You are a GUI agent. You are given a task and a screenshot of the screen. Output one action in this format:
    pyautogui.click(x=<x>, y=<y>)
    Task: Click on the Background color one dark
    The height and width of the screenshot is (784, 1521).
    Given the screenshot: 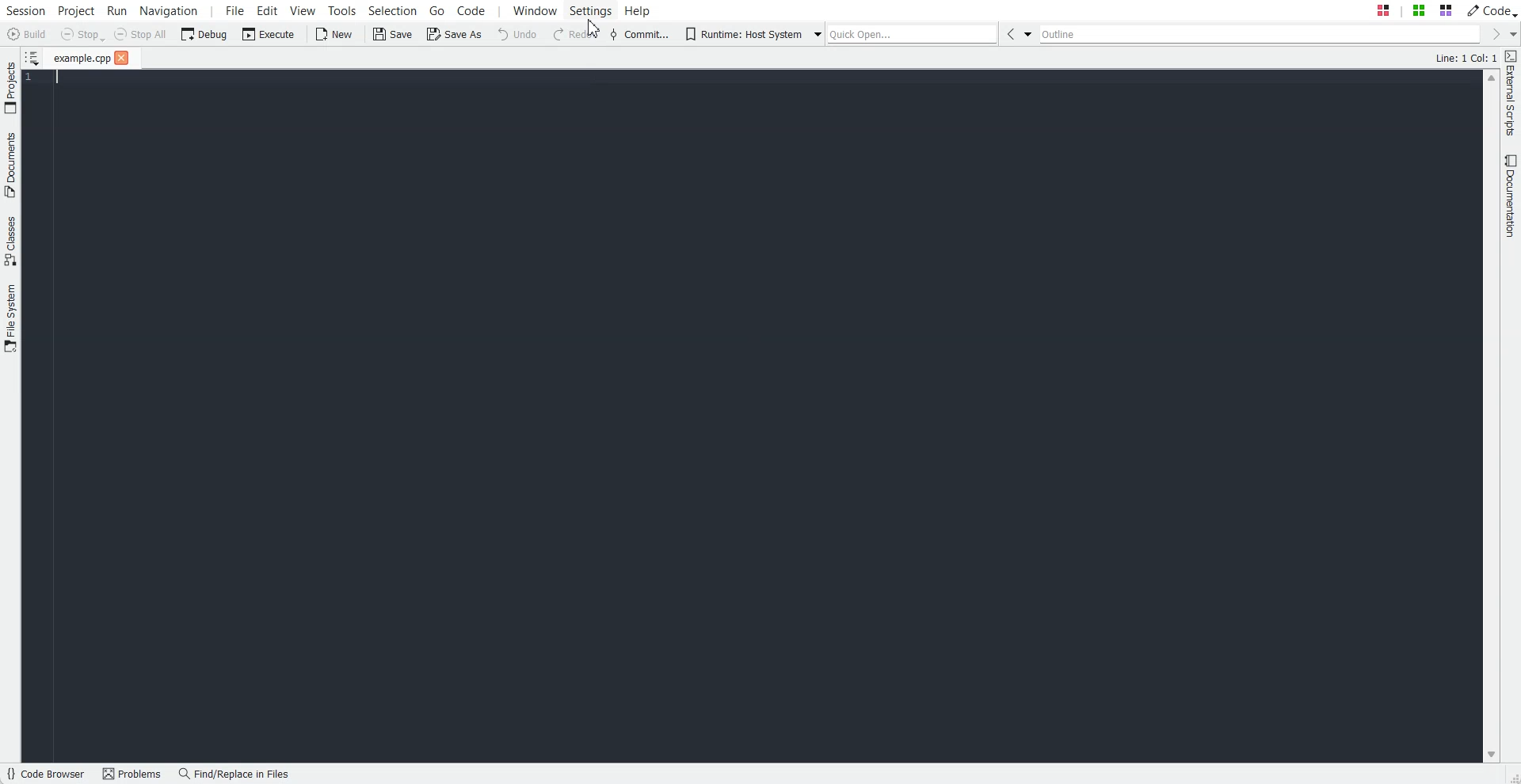 What is the action you would take?
    pyautogui.click(x=753, y=425)
    